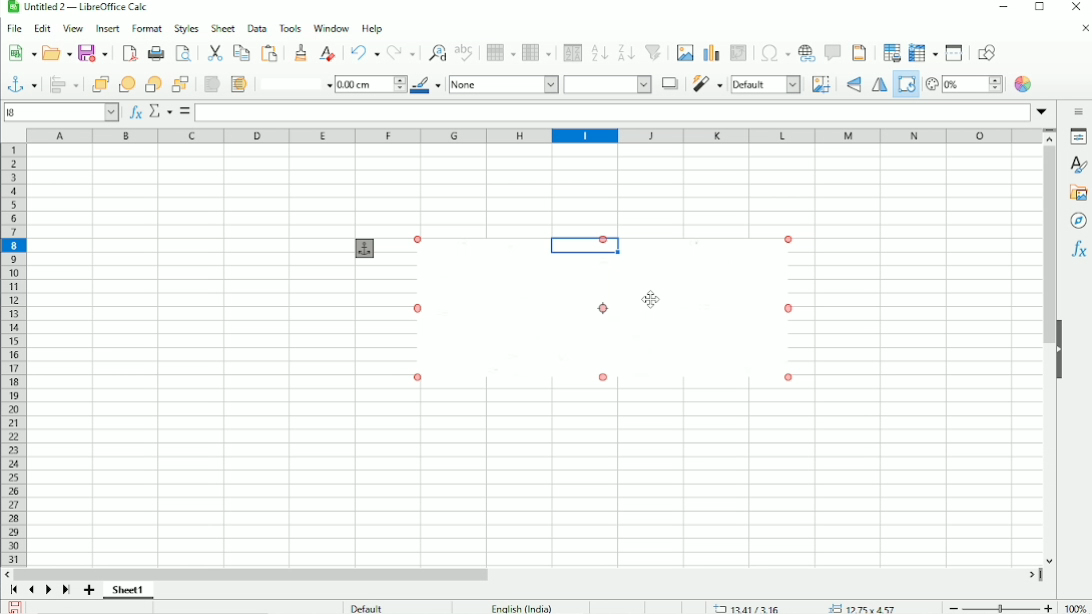 The height and width of the screenshot is (614, 1092). I want to click on Scroll to last sheet, so click(66, 591).